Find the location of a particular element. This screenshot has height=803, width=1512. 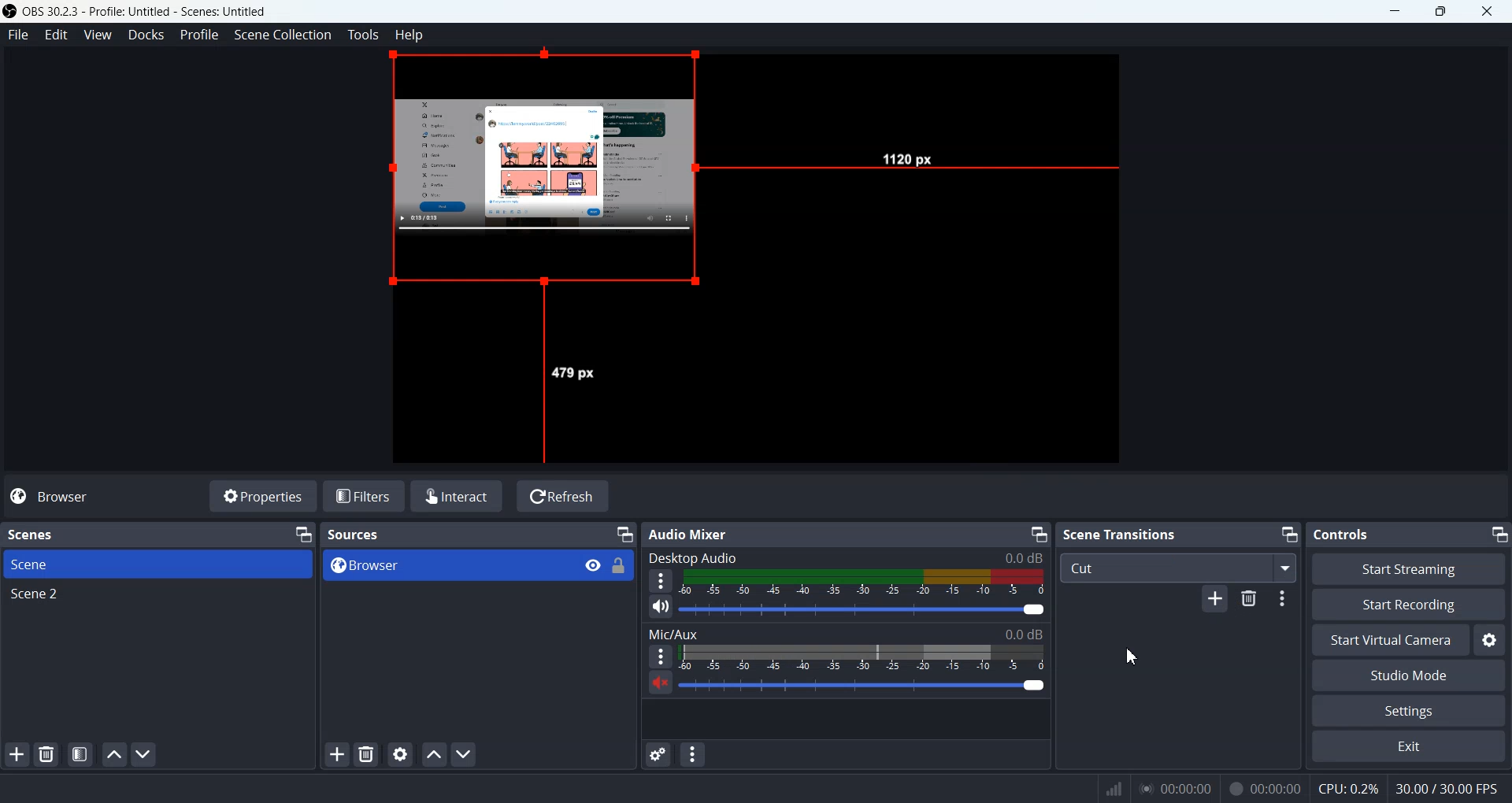

 is located at coordinates (1267, 787).